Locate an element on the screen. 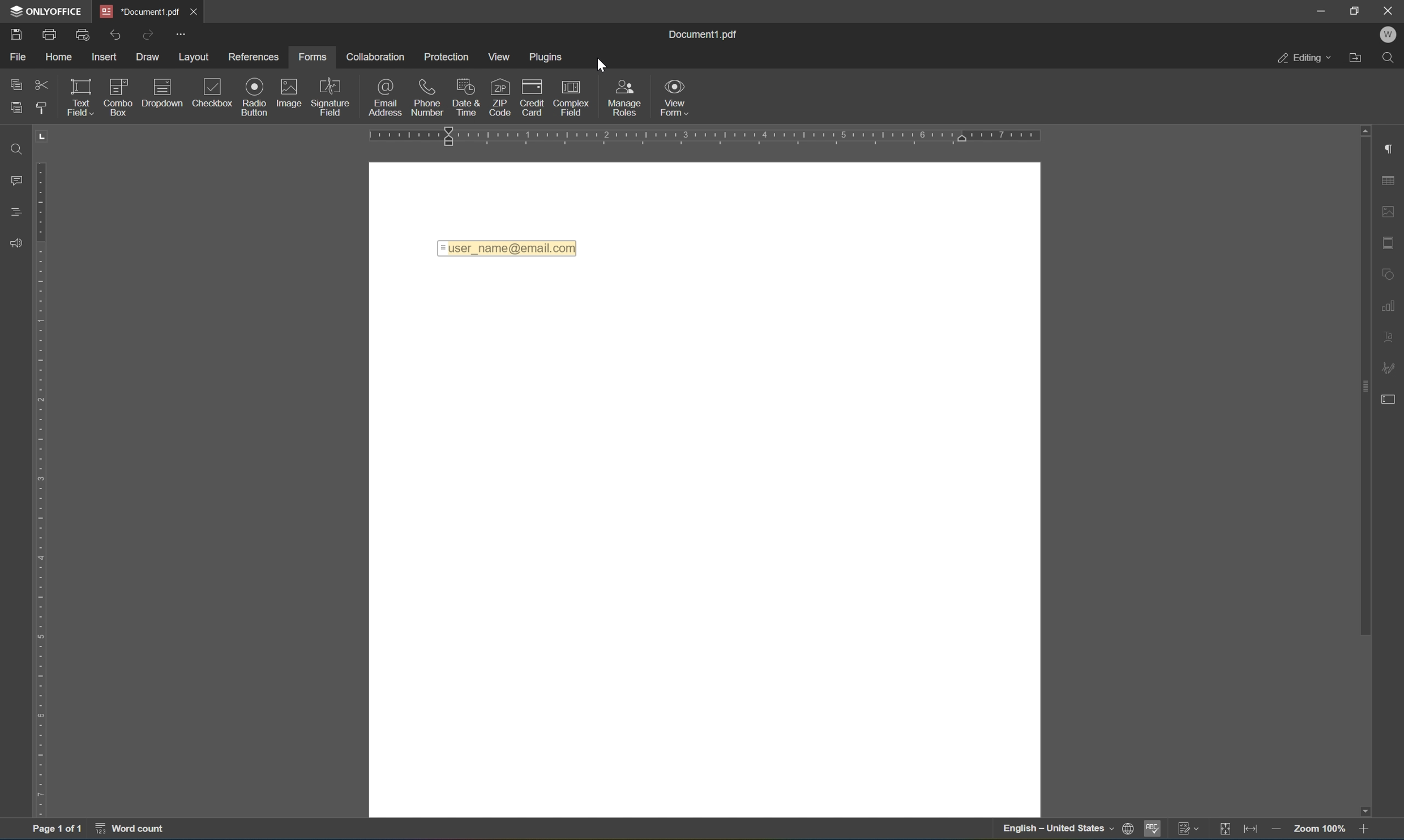 This screenshot has width=1404, height=840. comments is located at coordinates (15, 181).